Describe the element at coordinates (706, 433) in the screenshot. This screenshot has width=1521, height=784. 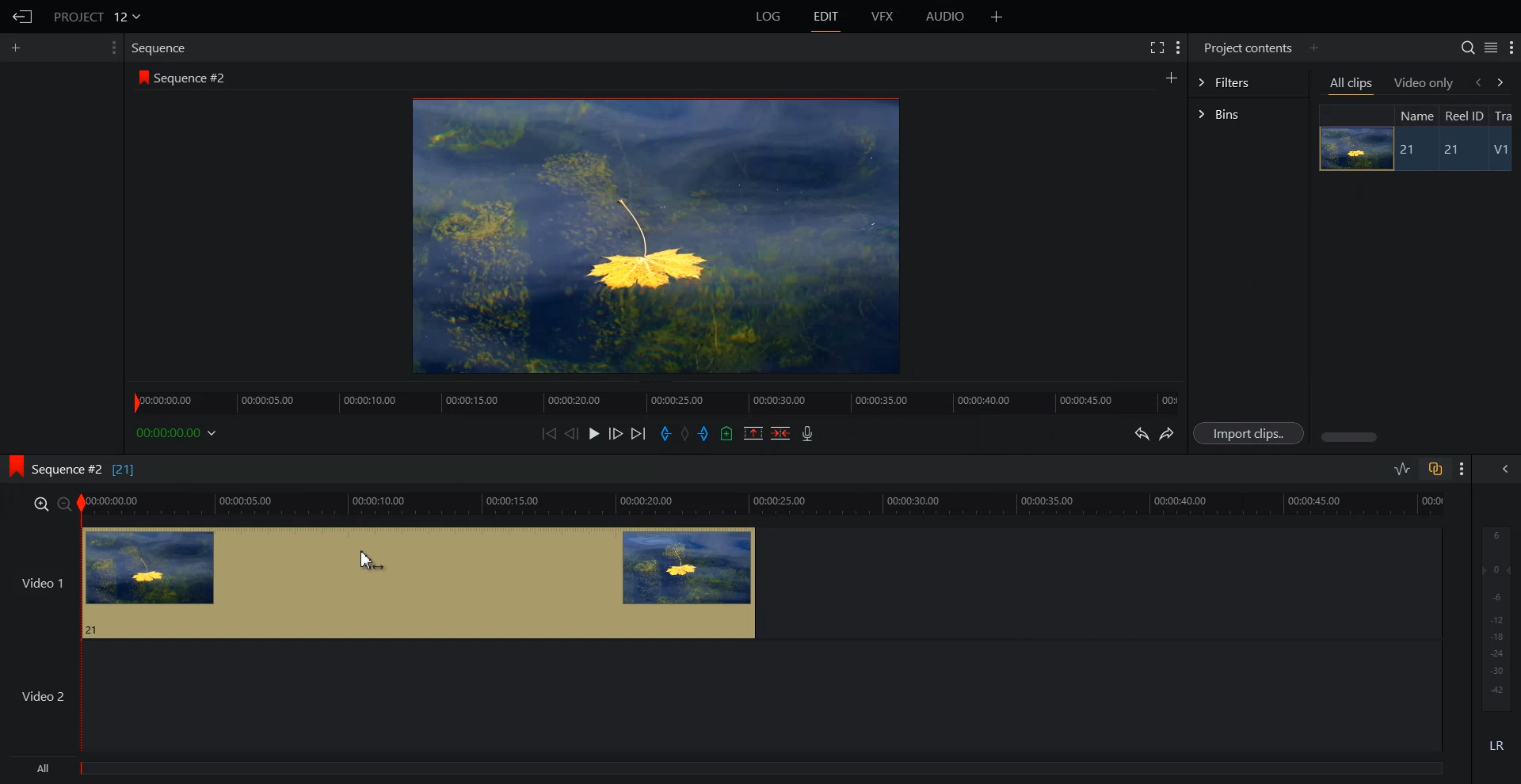
I see `Add an out Mark in current position` at that location.